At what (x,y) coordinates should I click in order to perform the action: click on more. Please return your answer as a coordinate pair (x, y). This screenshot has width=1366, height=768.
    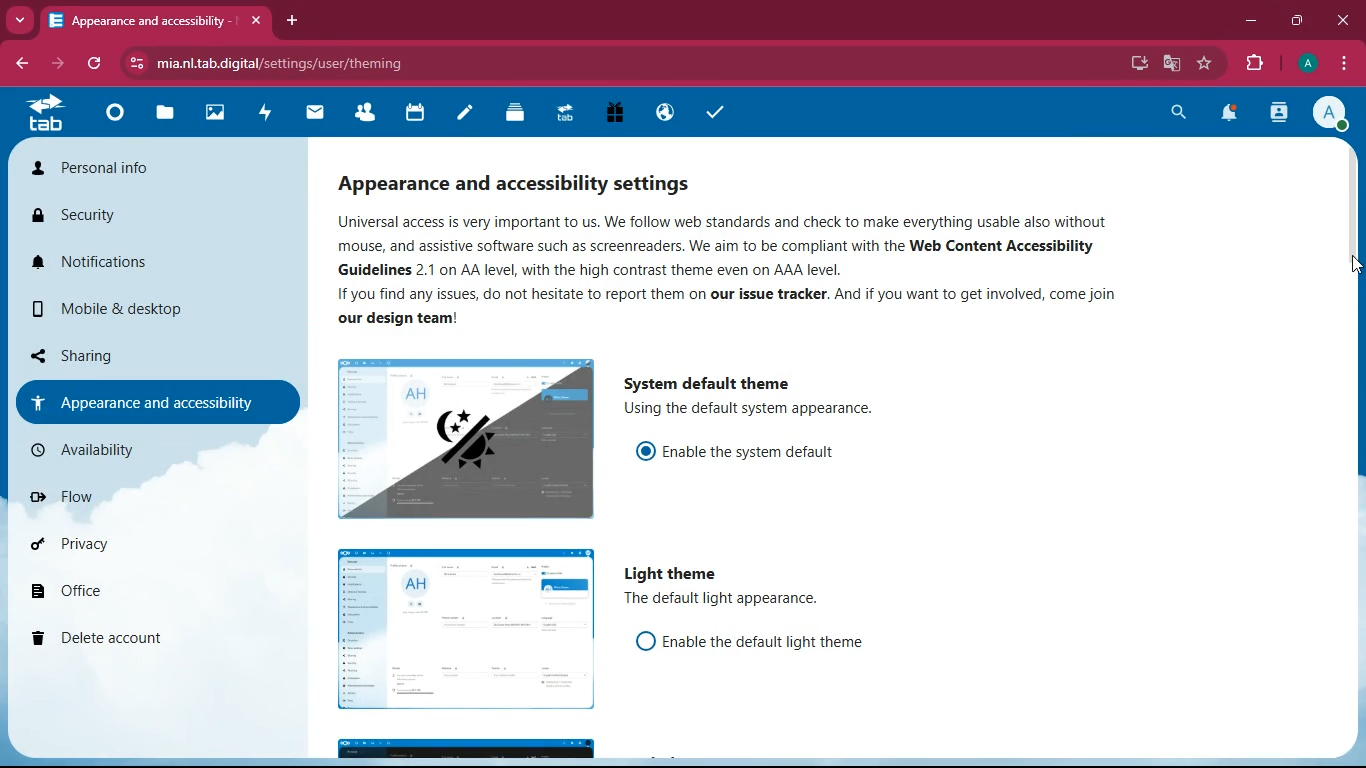
    Looking at the image, I should click on (22, 21).